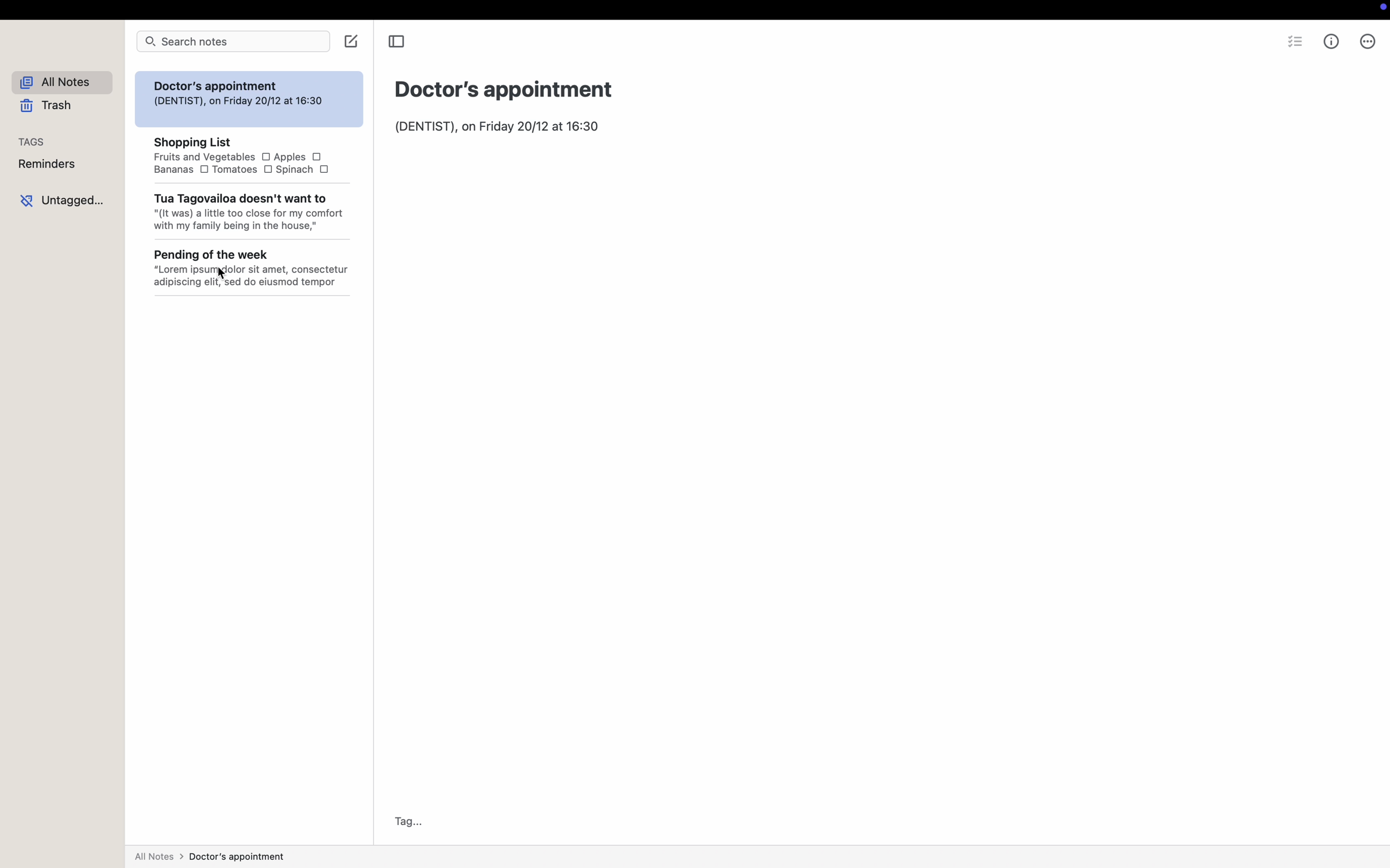 The image size is (1390, 868). Describe the element at coordinates (1333, 42) in the screenshot. I see `metrics` at that location.